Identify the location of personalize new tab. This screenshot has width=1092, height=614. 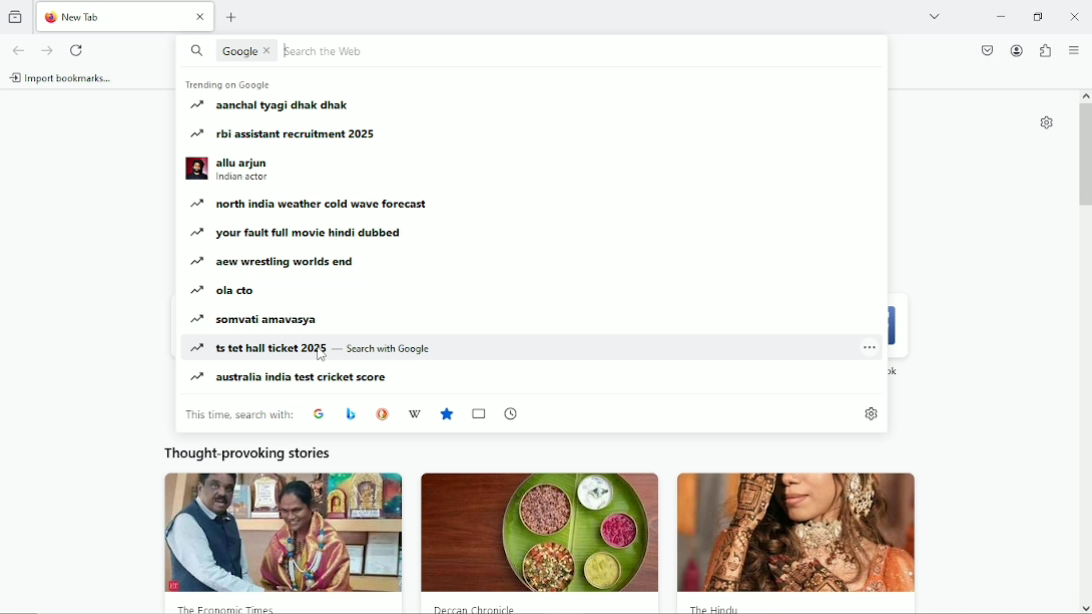
(1046, 122).